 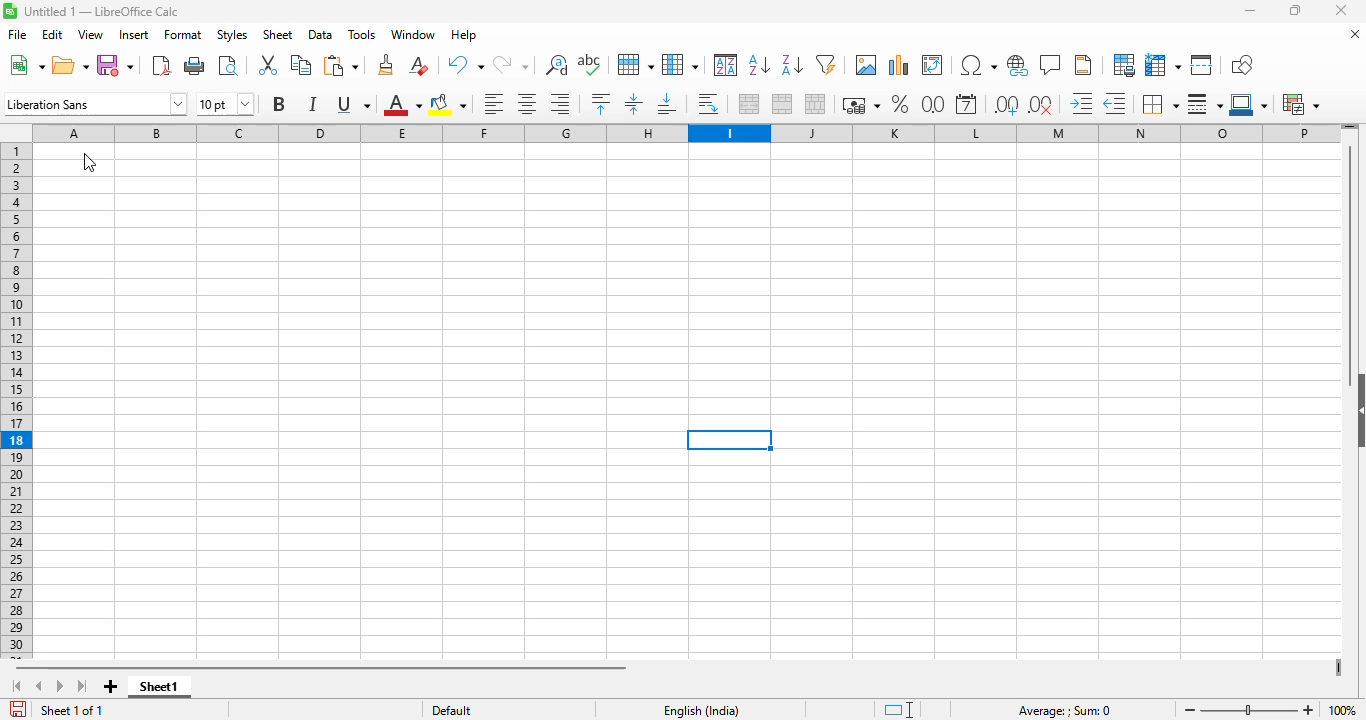 I want to click on border style, so click(x=1205, y=105).